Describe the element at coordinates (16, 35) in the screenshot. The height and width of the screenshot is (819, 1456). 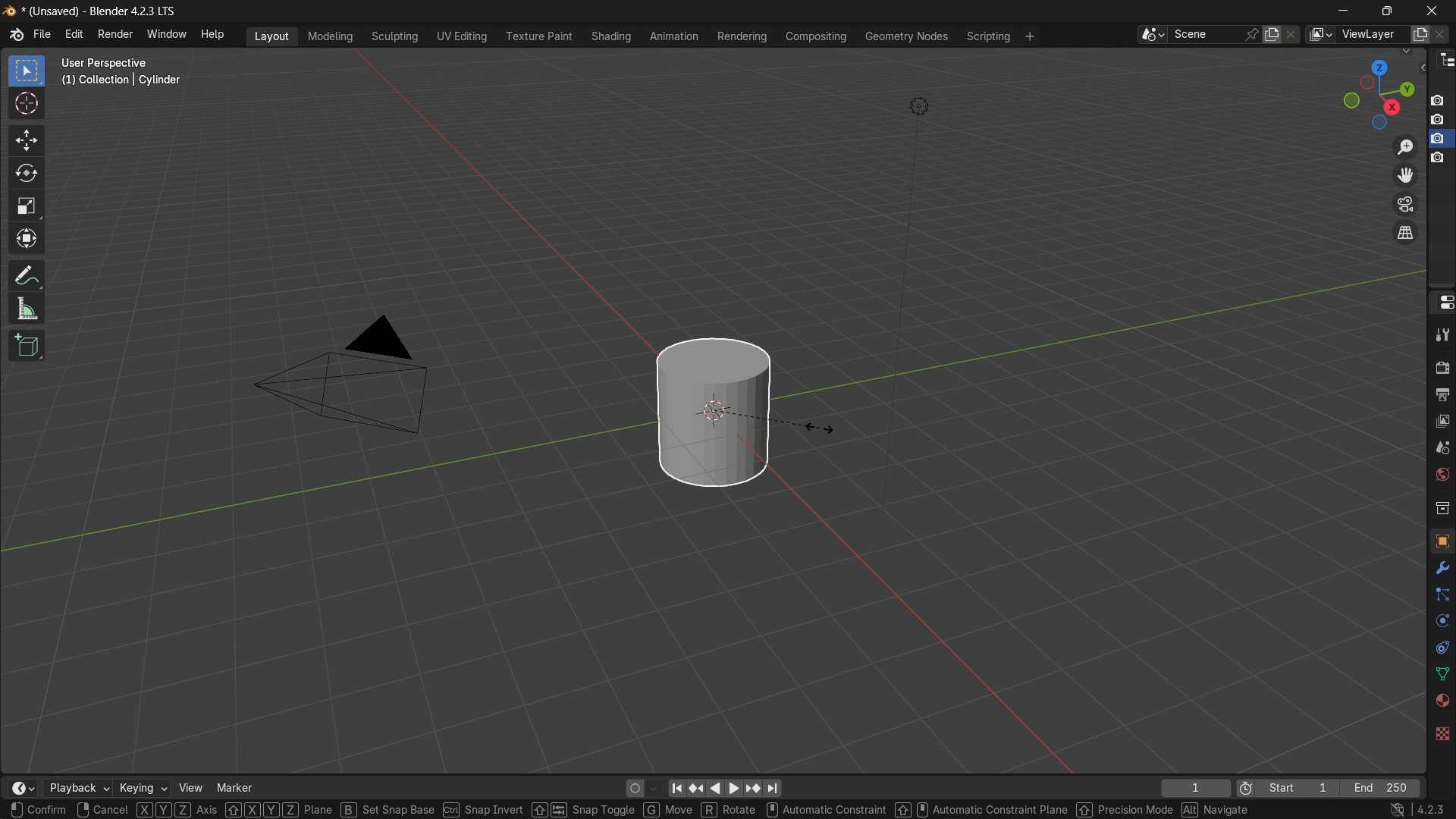
I see `logo` at that location.